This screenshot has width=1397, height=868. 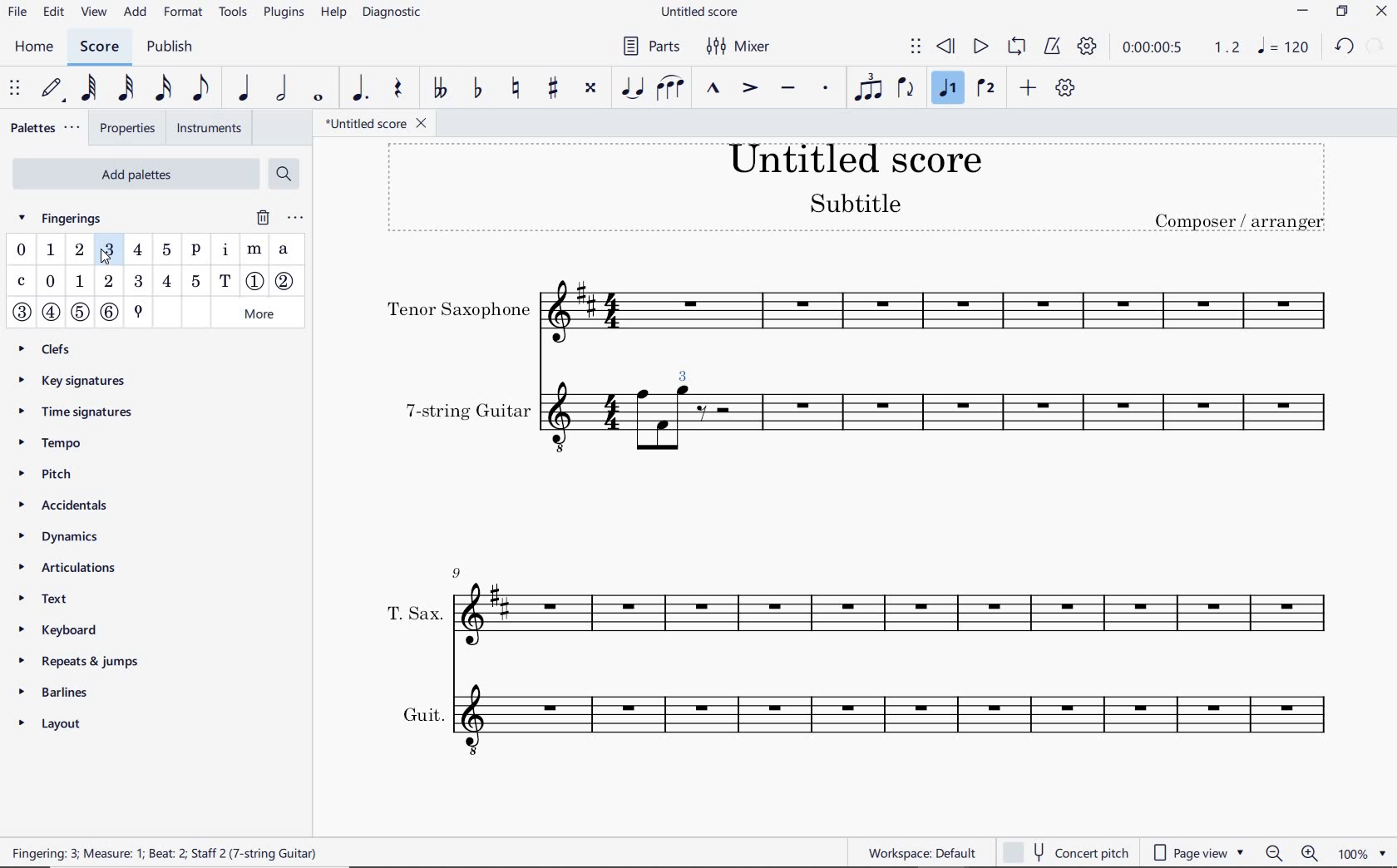 What do you see at coordinates (135, 172) in the screenshot?
I see `ADD PALETTES` at bounding box center [135, 172].